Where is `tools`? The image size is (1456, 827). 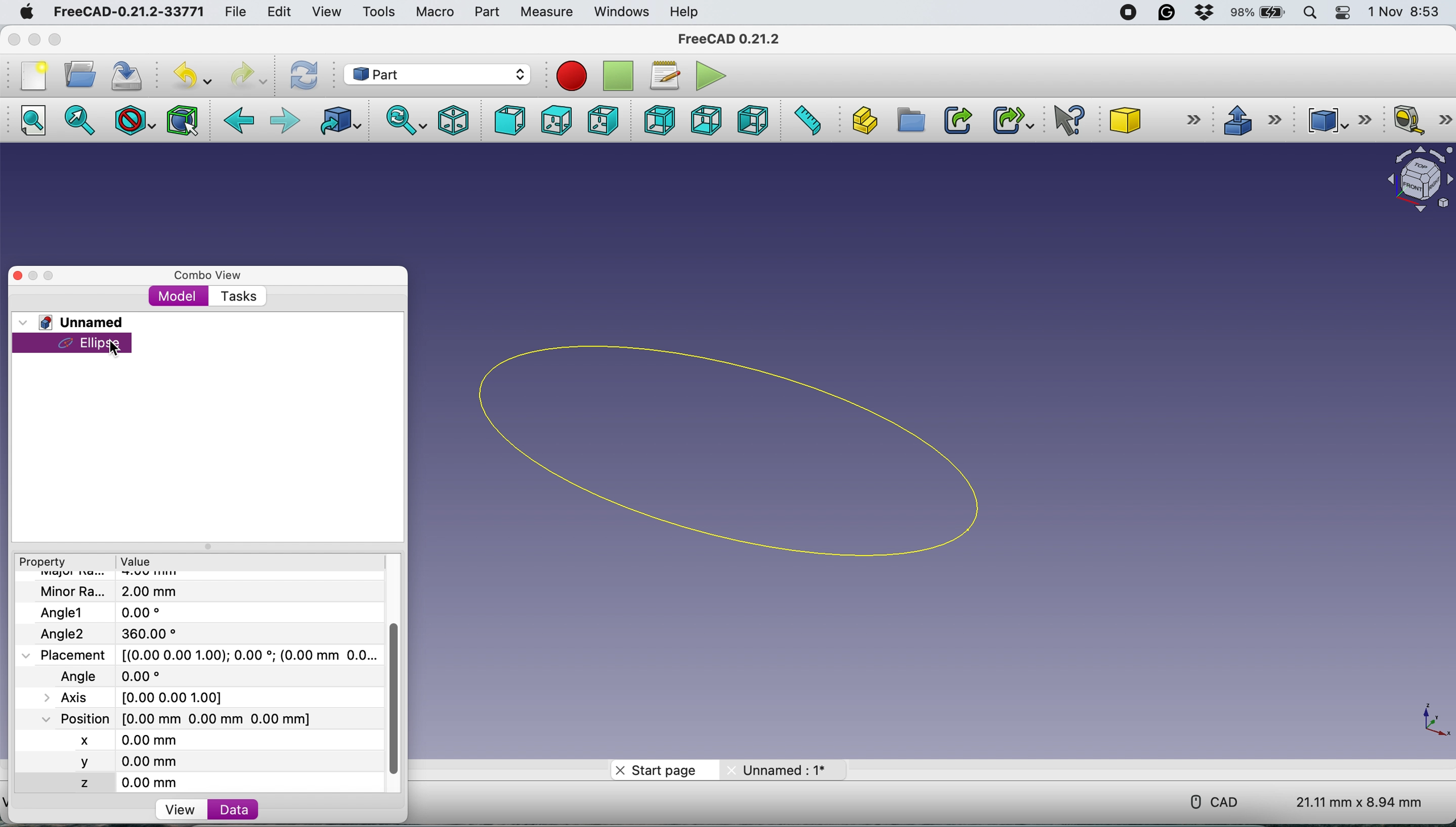 tools is located at coordinates (379, 12).